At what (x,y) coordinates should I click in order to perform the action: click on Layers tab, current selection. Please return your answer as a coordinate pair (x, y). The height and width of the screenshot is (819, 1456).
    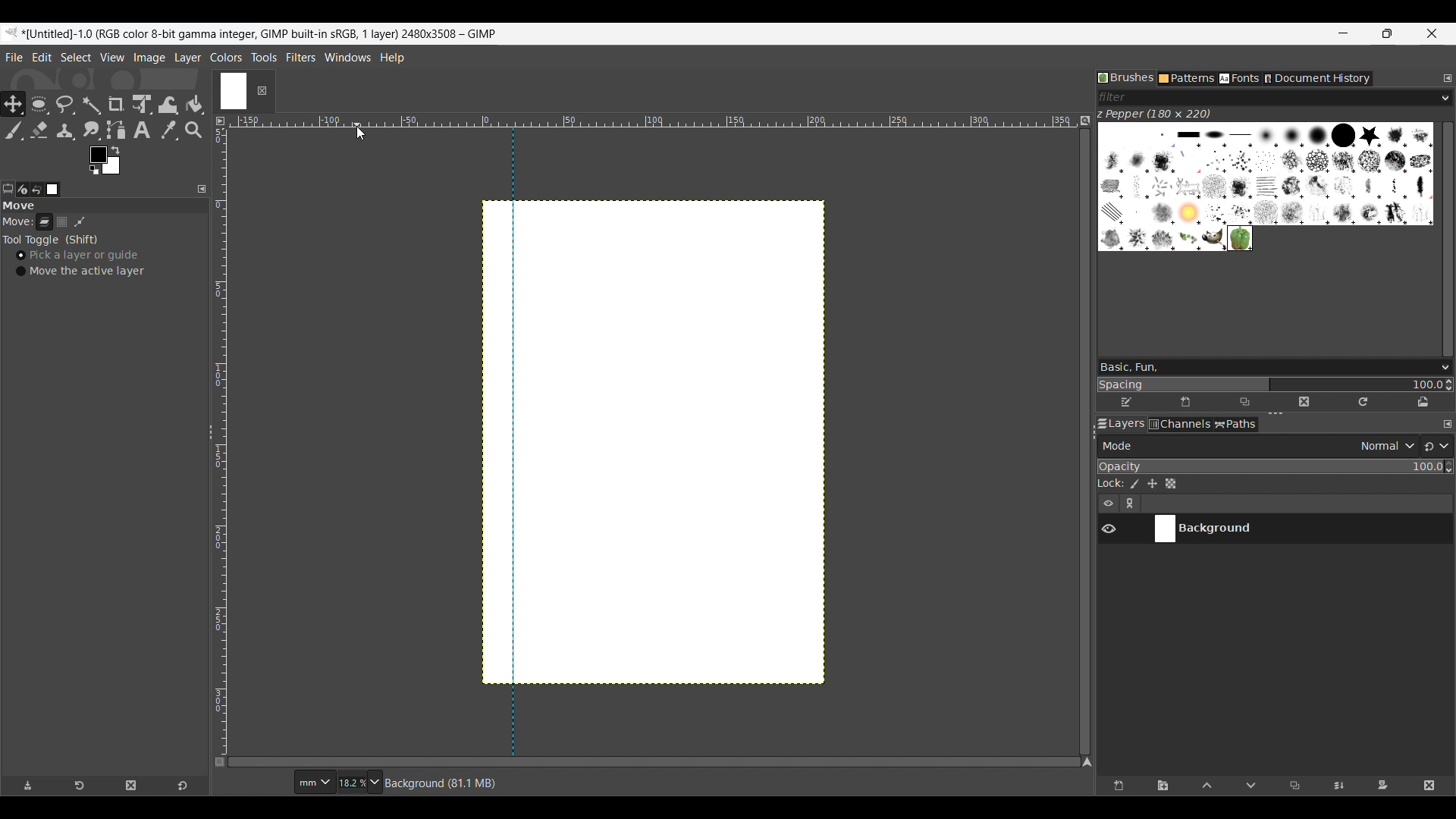
    Looking at the image, I should click on (1118, 425).